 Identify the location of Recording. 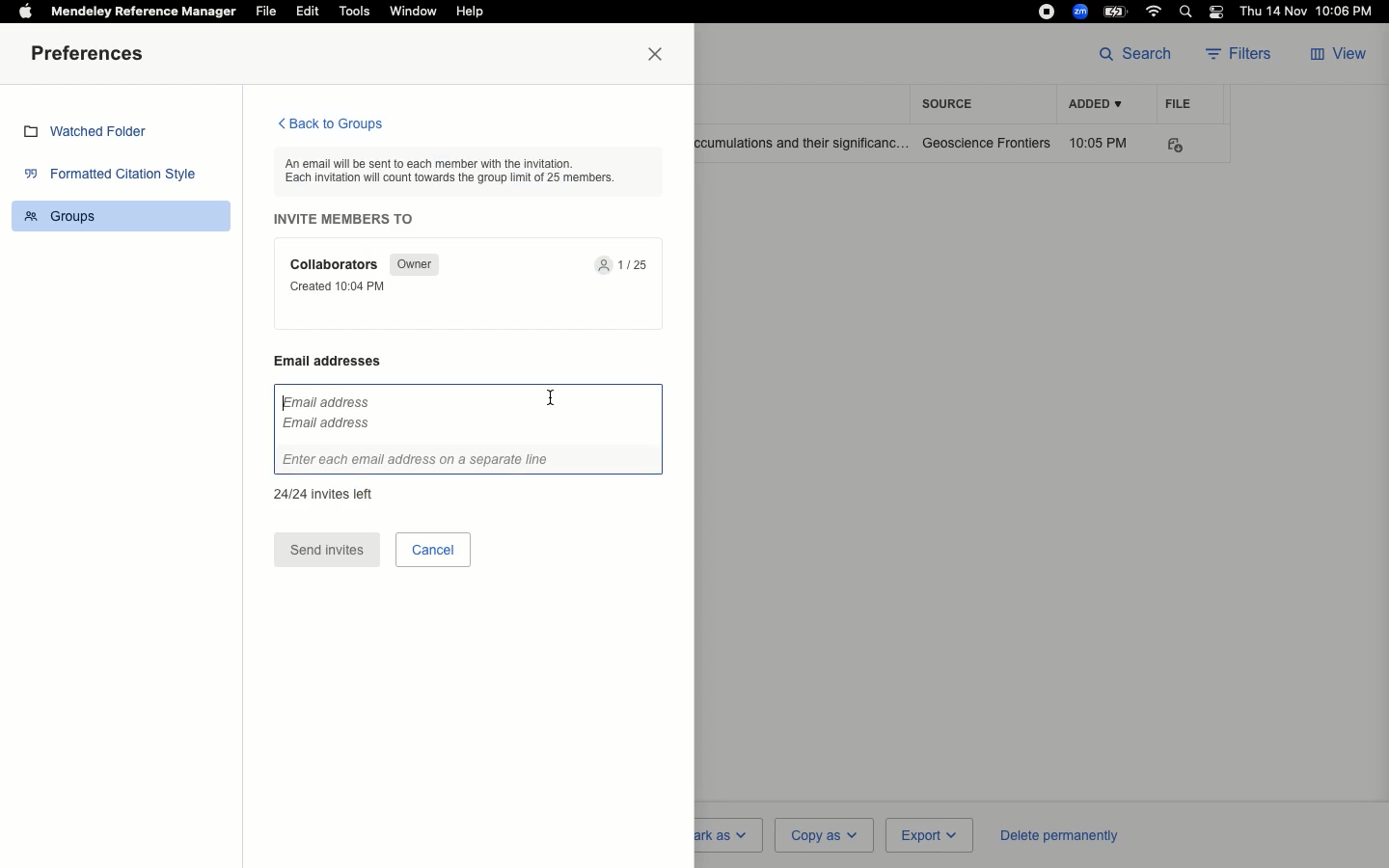
(1047, 12).